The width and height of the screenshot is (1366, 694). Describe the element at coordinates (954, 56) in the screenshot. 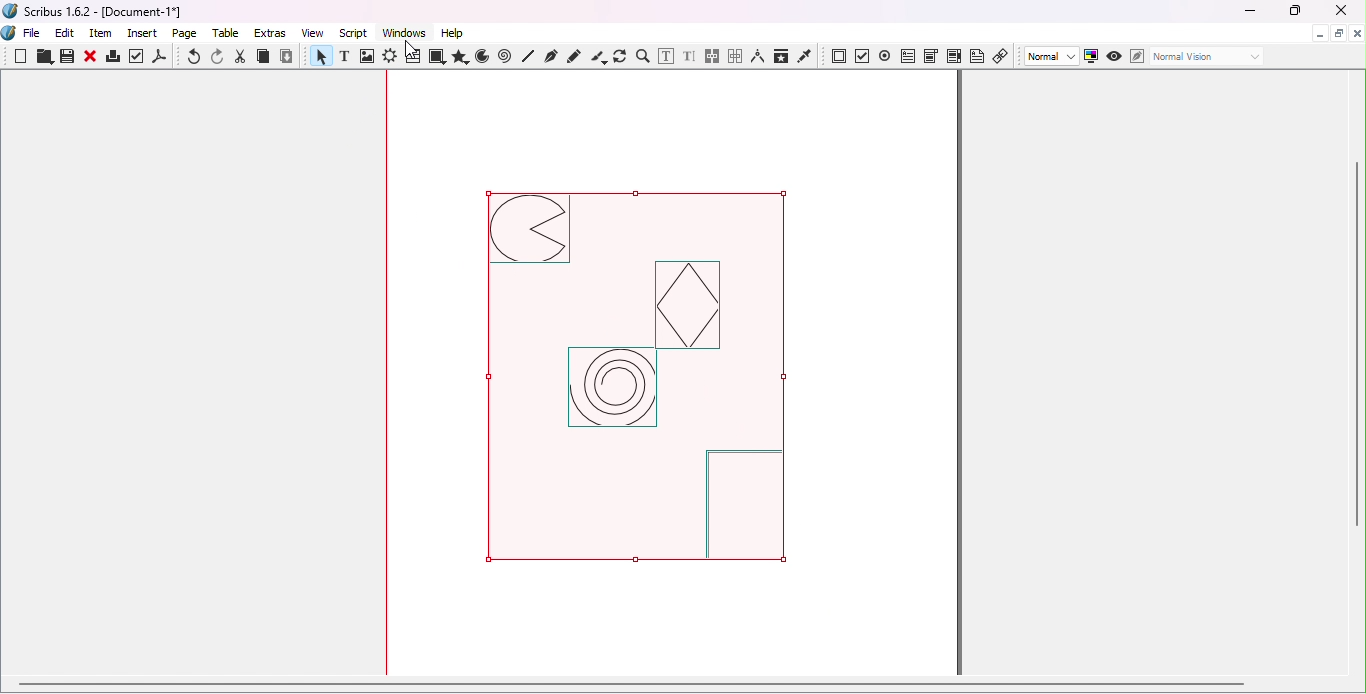

I see `PDF list box` at that location.